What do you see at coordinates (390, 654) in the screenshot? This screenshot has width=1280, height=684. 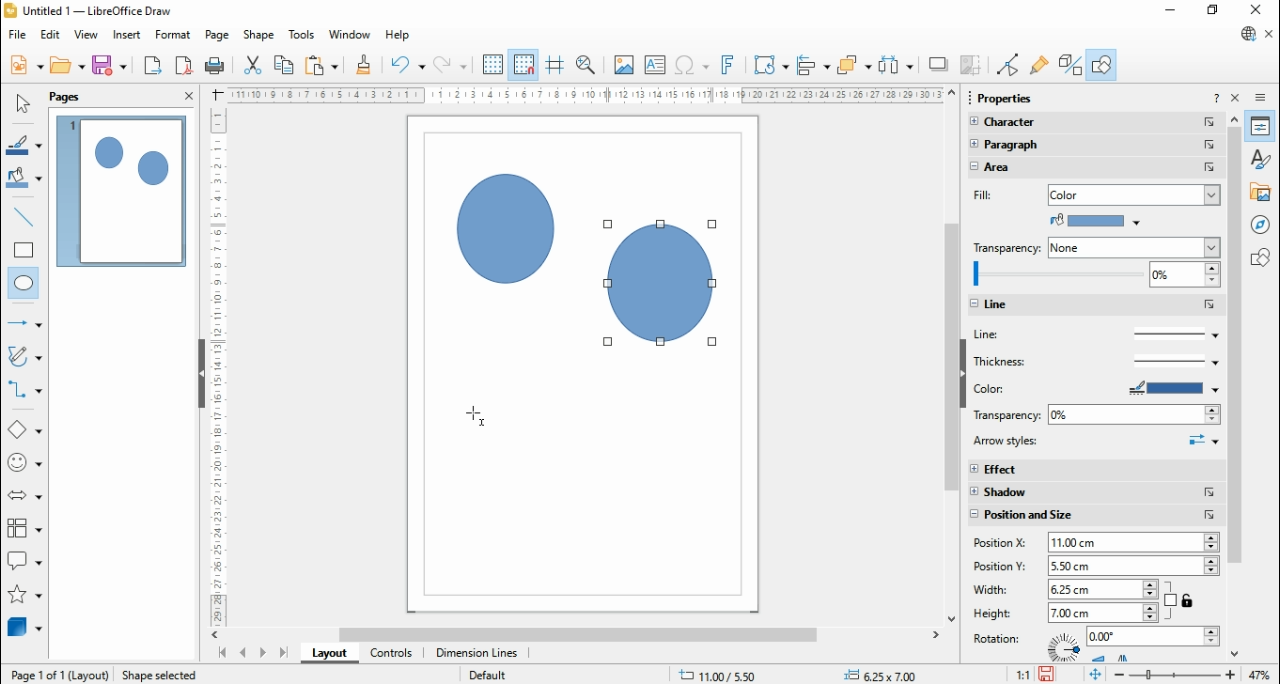 I see `controls` at bounding box center [390, 654].